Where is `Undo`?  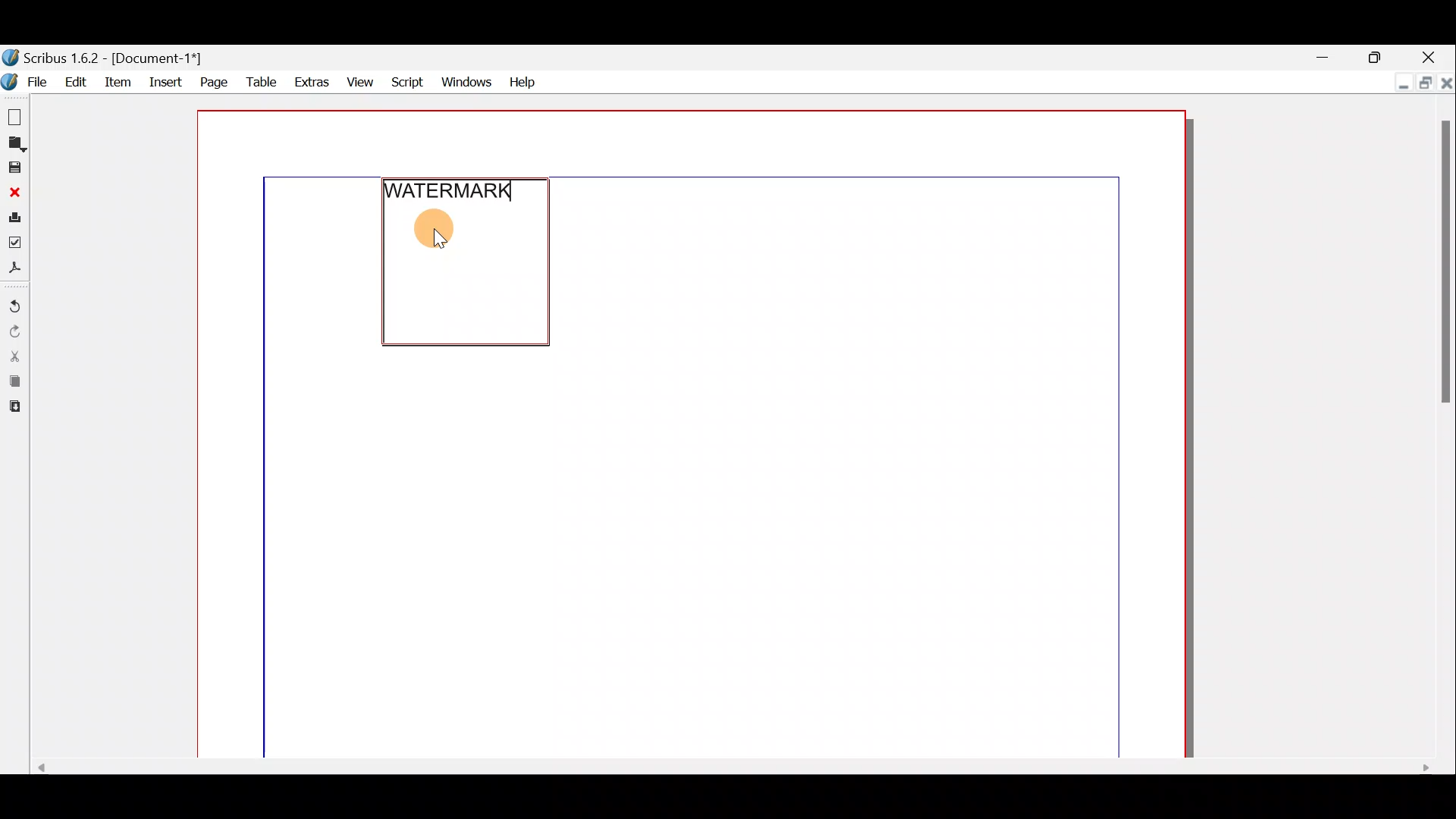 Undo is located at coordinates (14, 307).